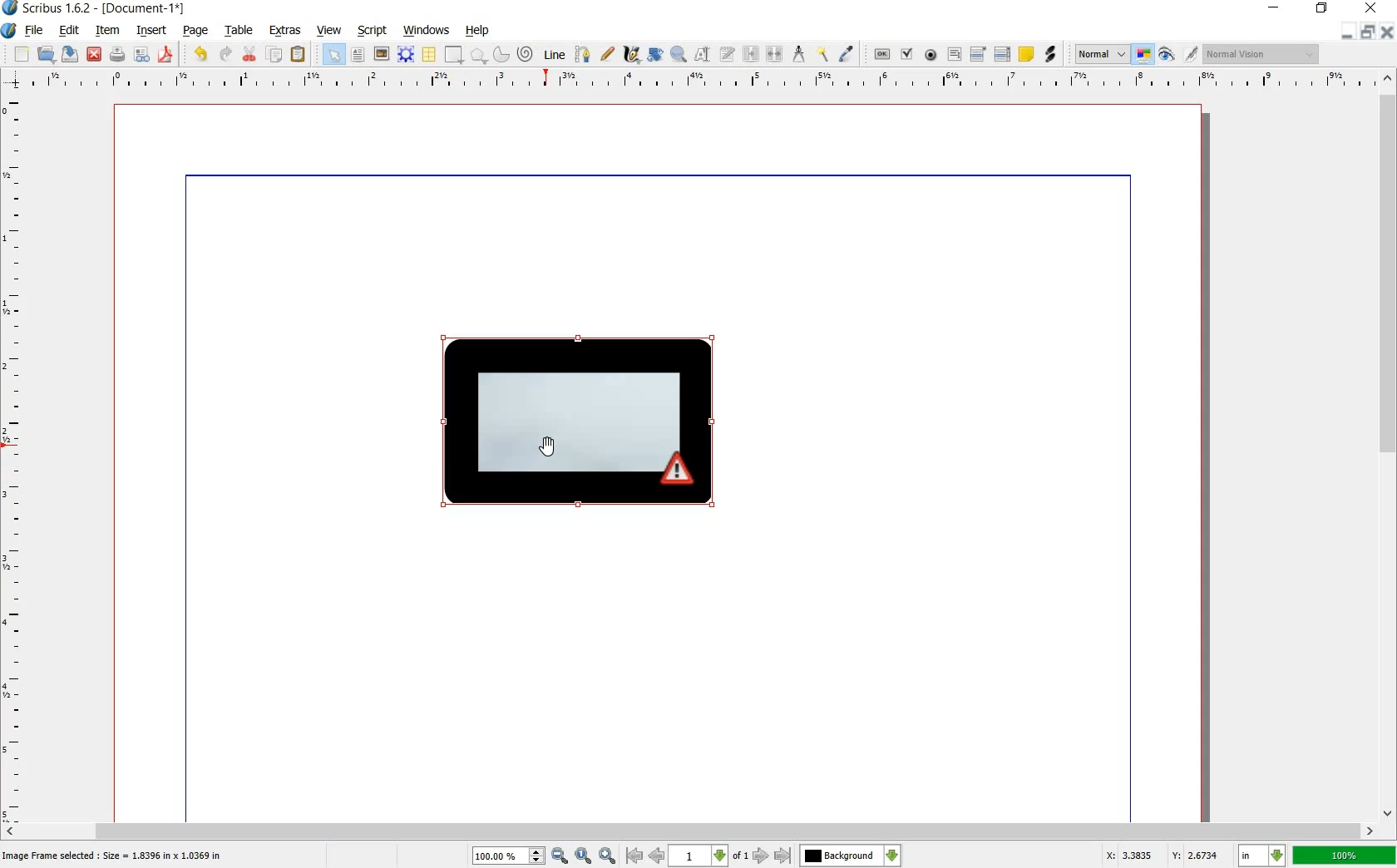  Describe the element at coordinates (21, 54) in the screenshot. I see `new` at that location.